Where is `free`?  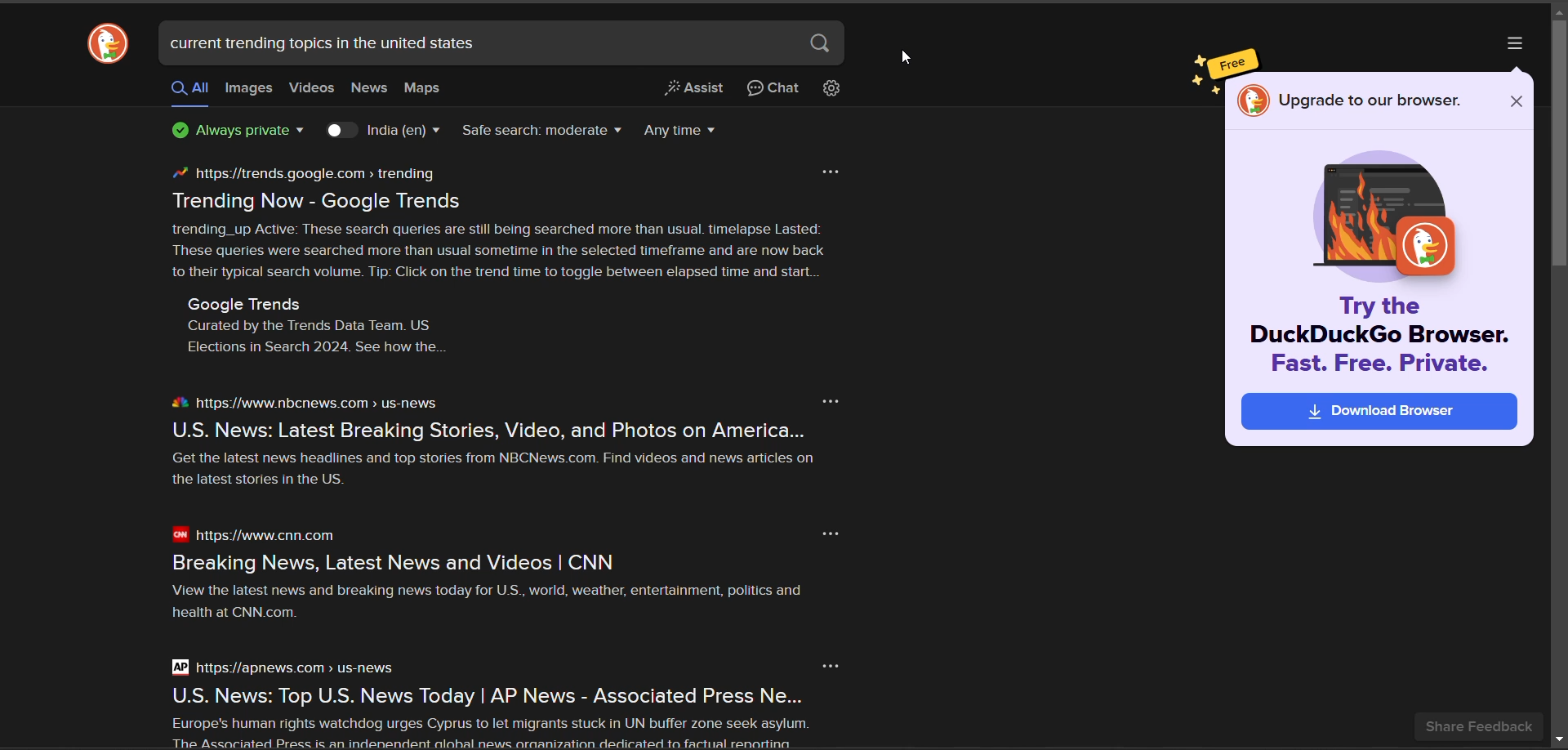 free is located at coordinates (1226, 63).